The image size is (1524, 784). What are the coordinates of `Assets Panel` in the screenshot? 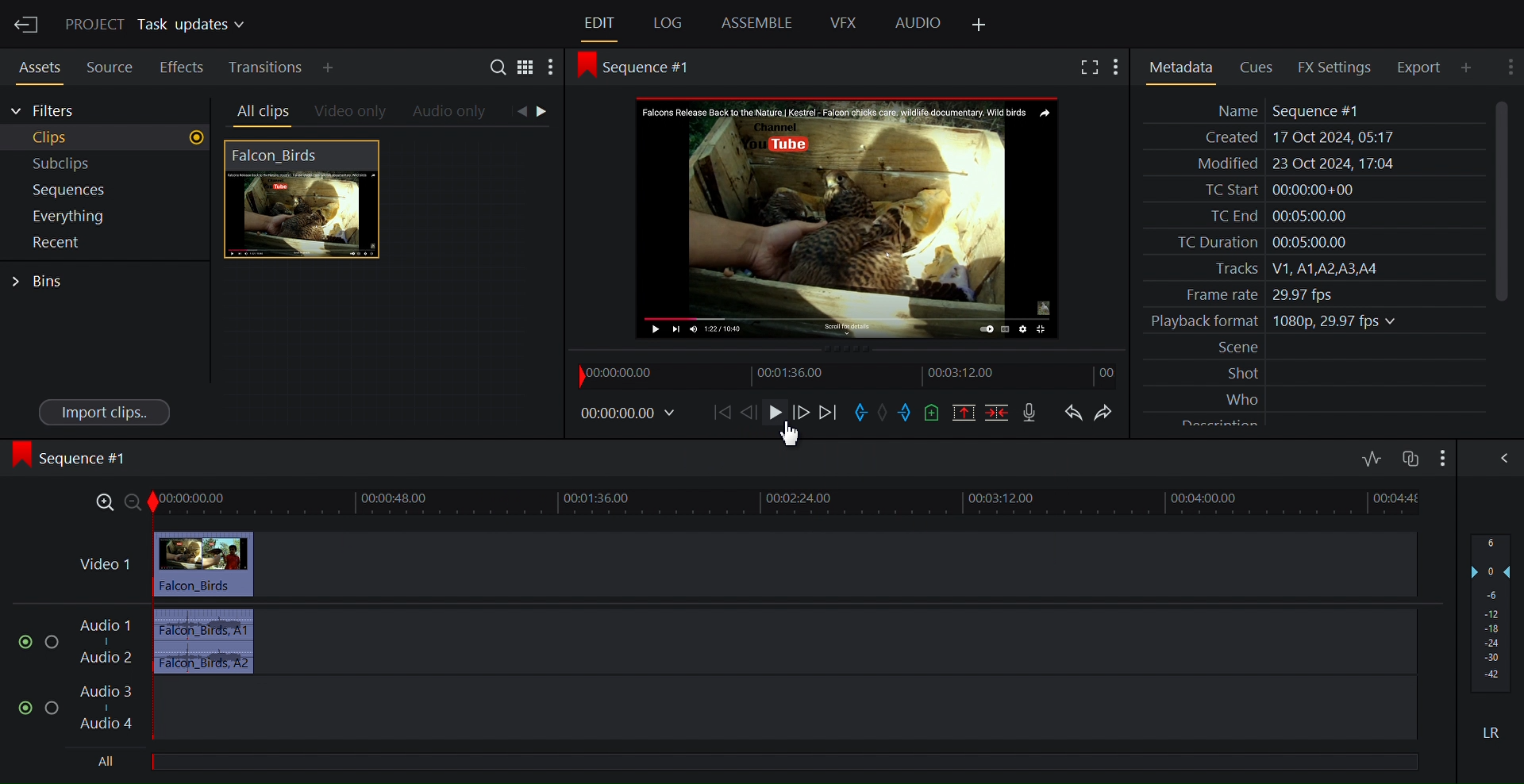 It's located at (35, 65).